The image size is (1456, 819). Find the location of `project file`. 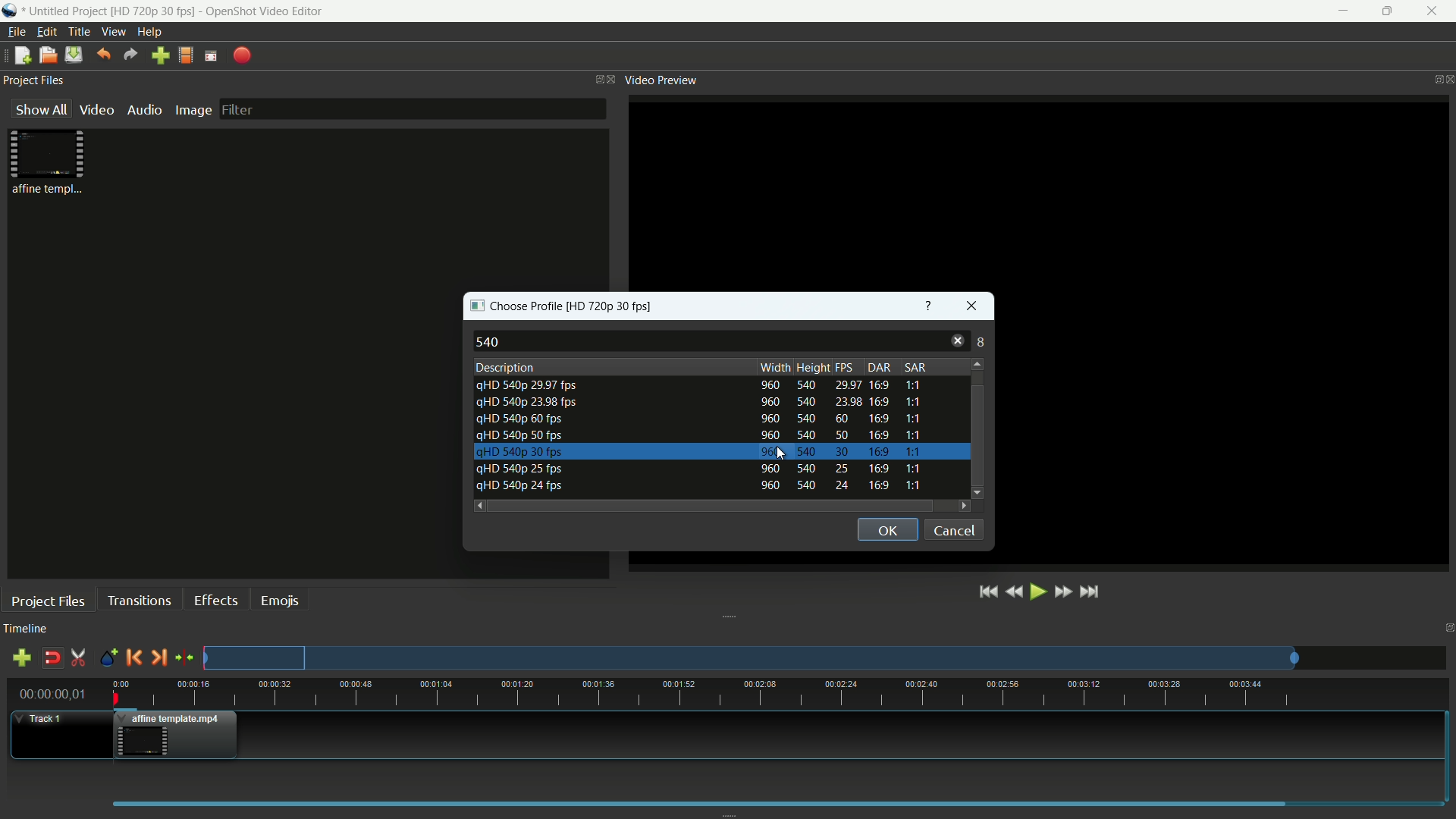

project file is located at coordinates (49, 162).